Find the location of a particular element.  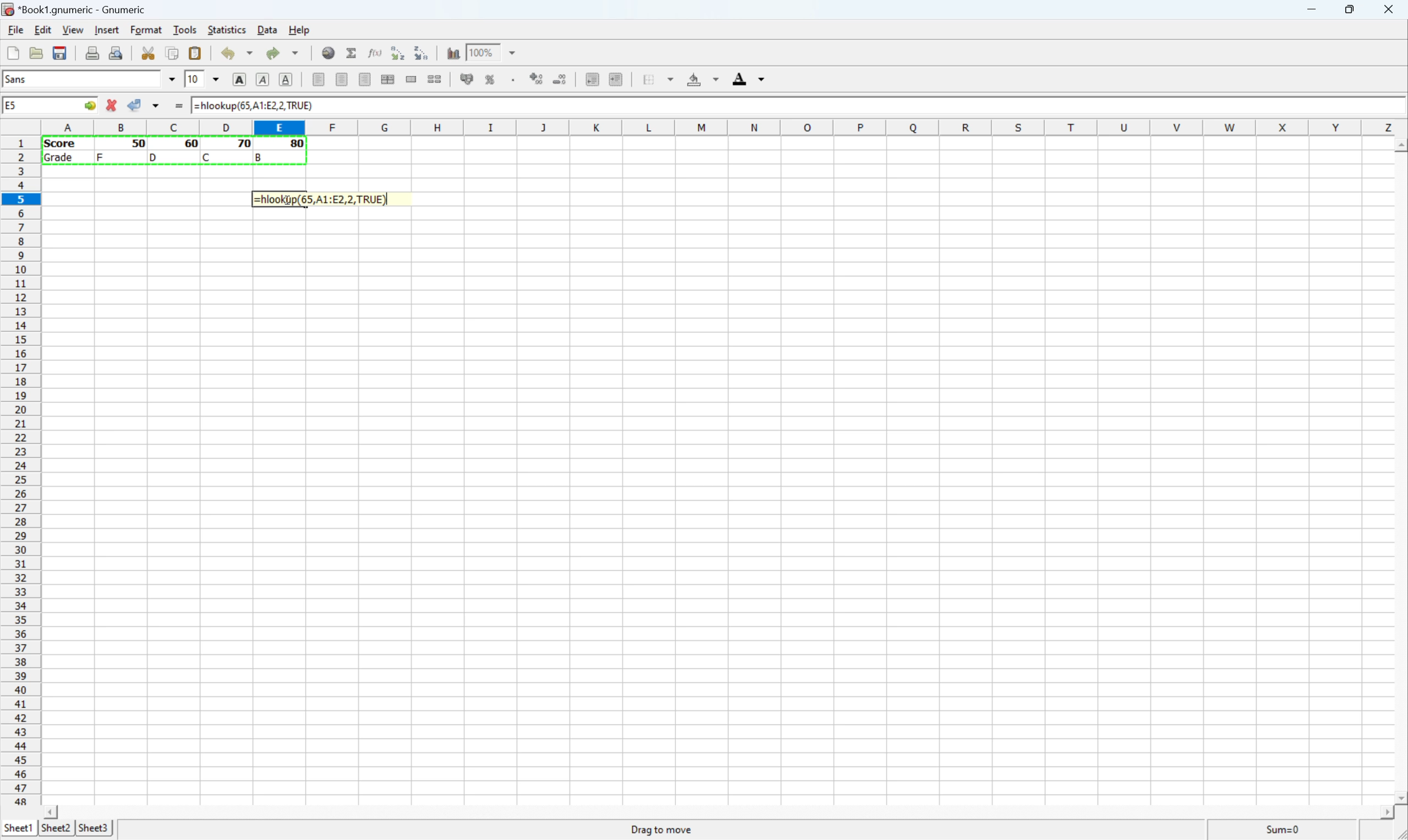

Drop Down is located at coordinates (511, 54).